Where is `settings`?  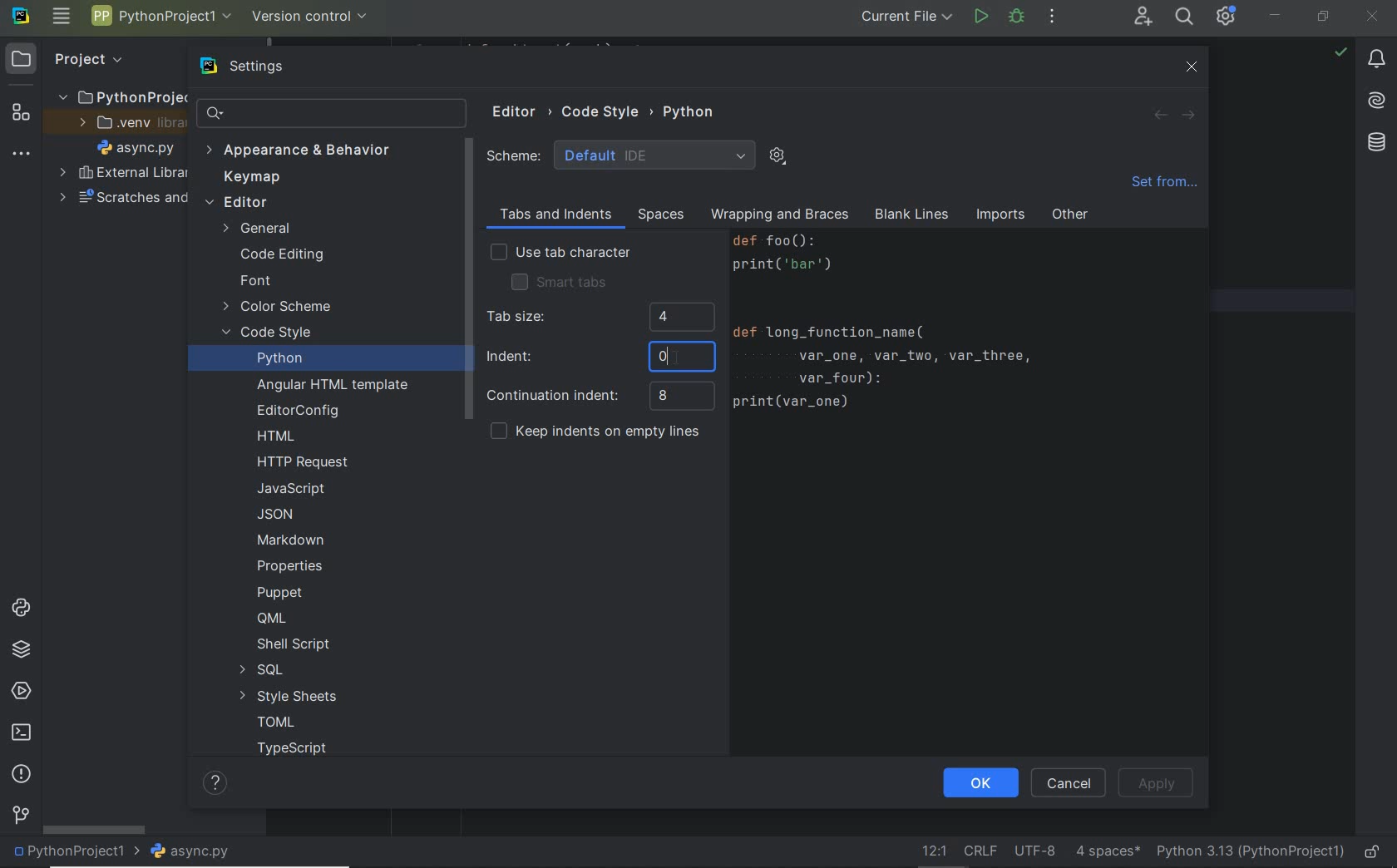 settings is located at coordinates (259, 67).